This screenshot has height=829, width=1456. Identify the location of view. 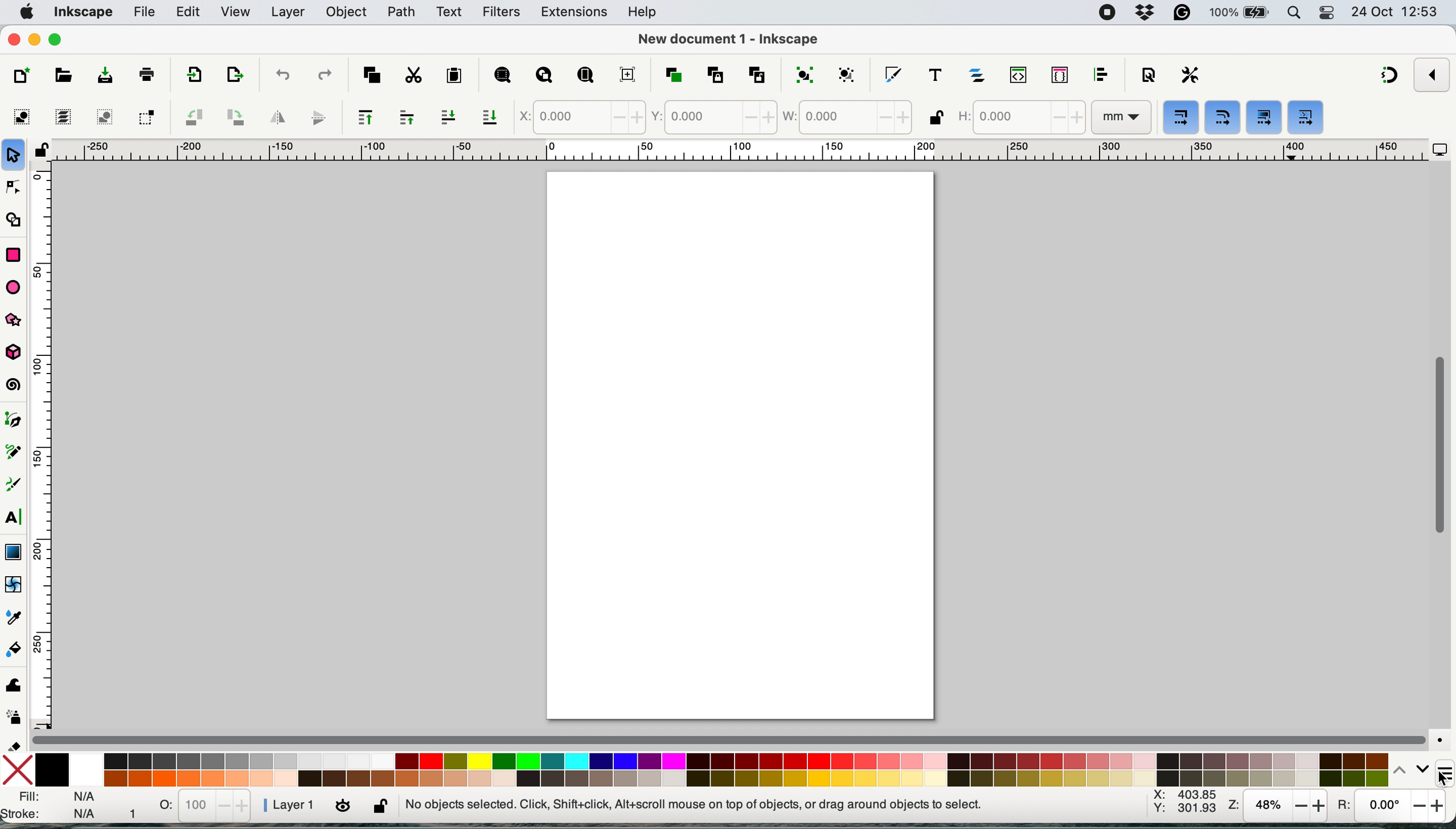
(236, 12).